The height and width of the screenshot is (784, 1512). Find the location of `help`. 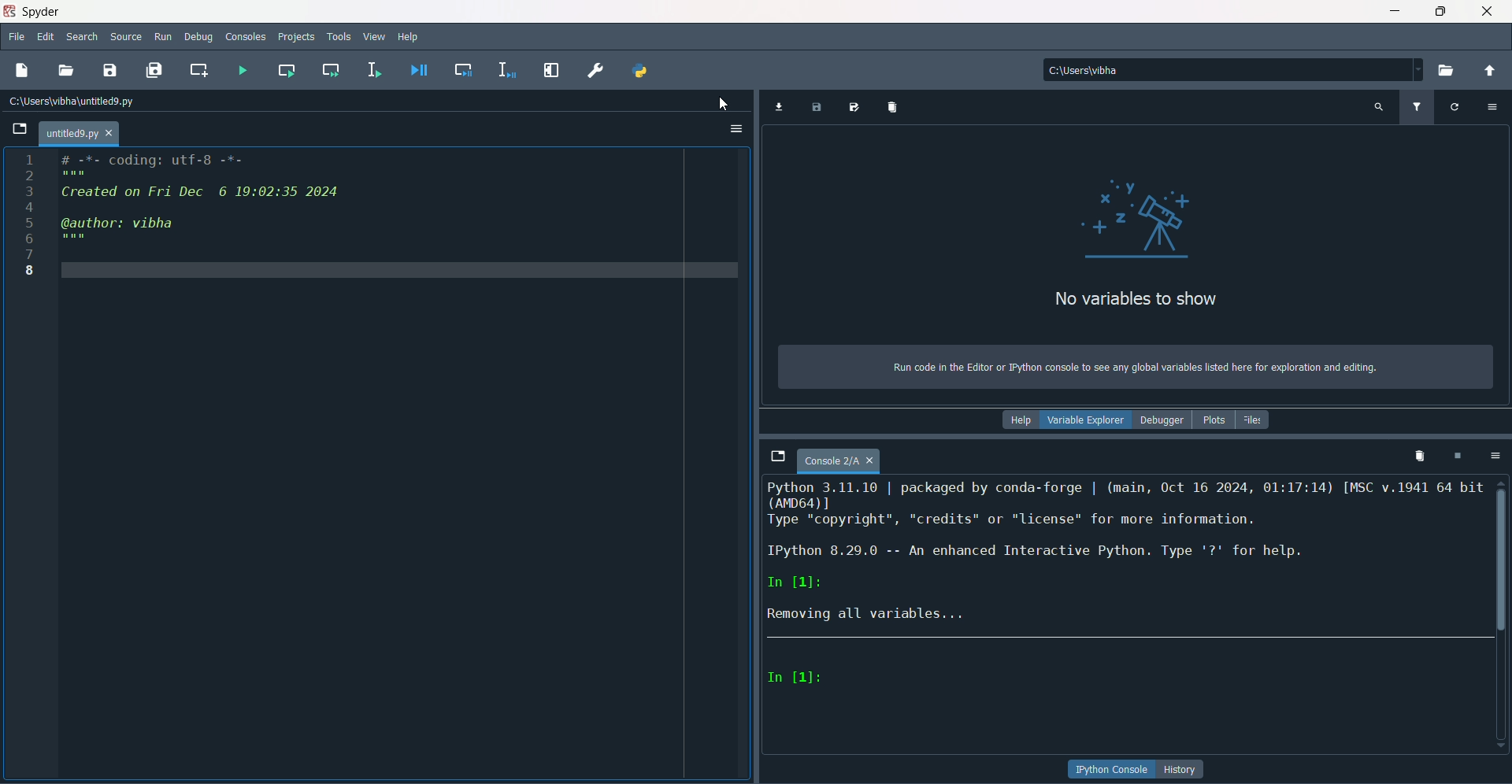

help is located at coordinates (409, 38).